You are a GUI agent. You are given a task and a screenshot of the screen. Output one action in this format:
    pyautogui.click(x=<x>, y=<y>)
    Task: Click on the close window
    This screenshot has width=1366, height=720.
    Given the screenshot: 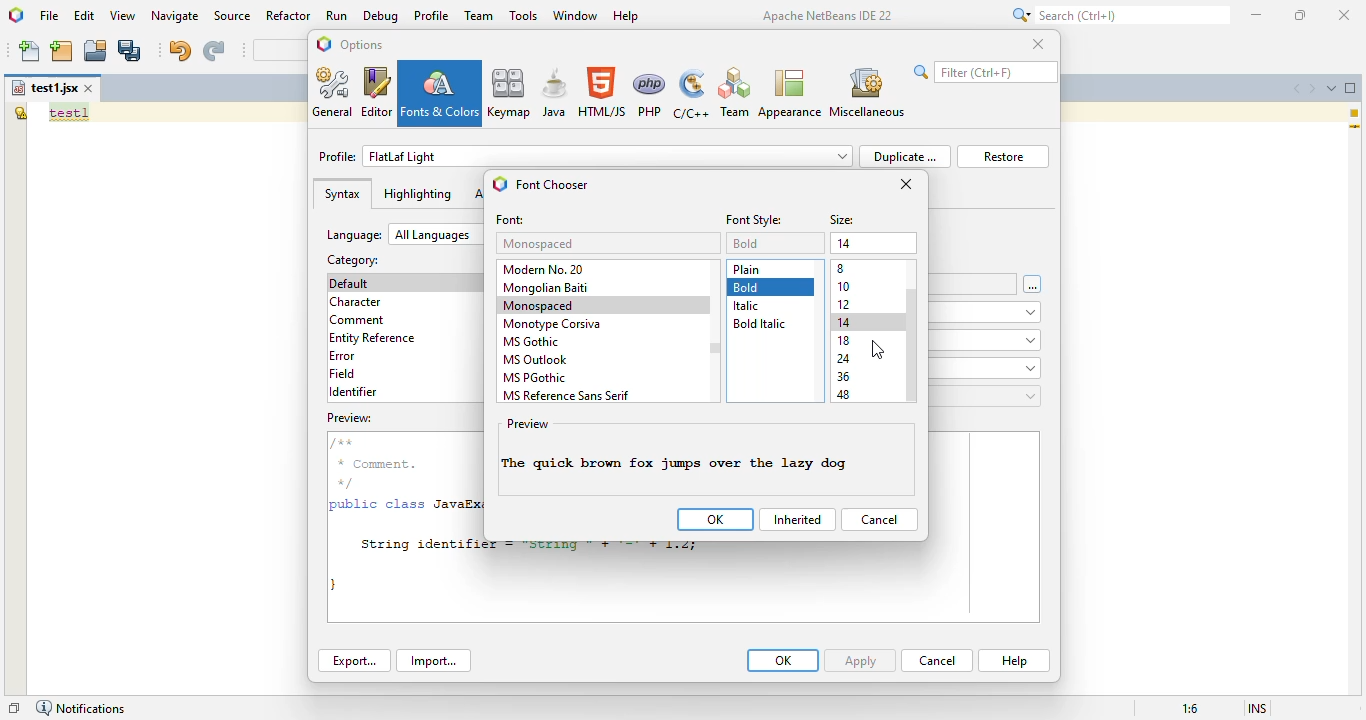 What is the action you would take?
    pyautogui.click(x=90, y=88)
    